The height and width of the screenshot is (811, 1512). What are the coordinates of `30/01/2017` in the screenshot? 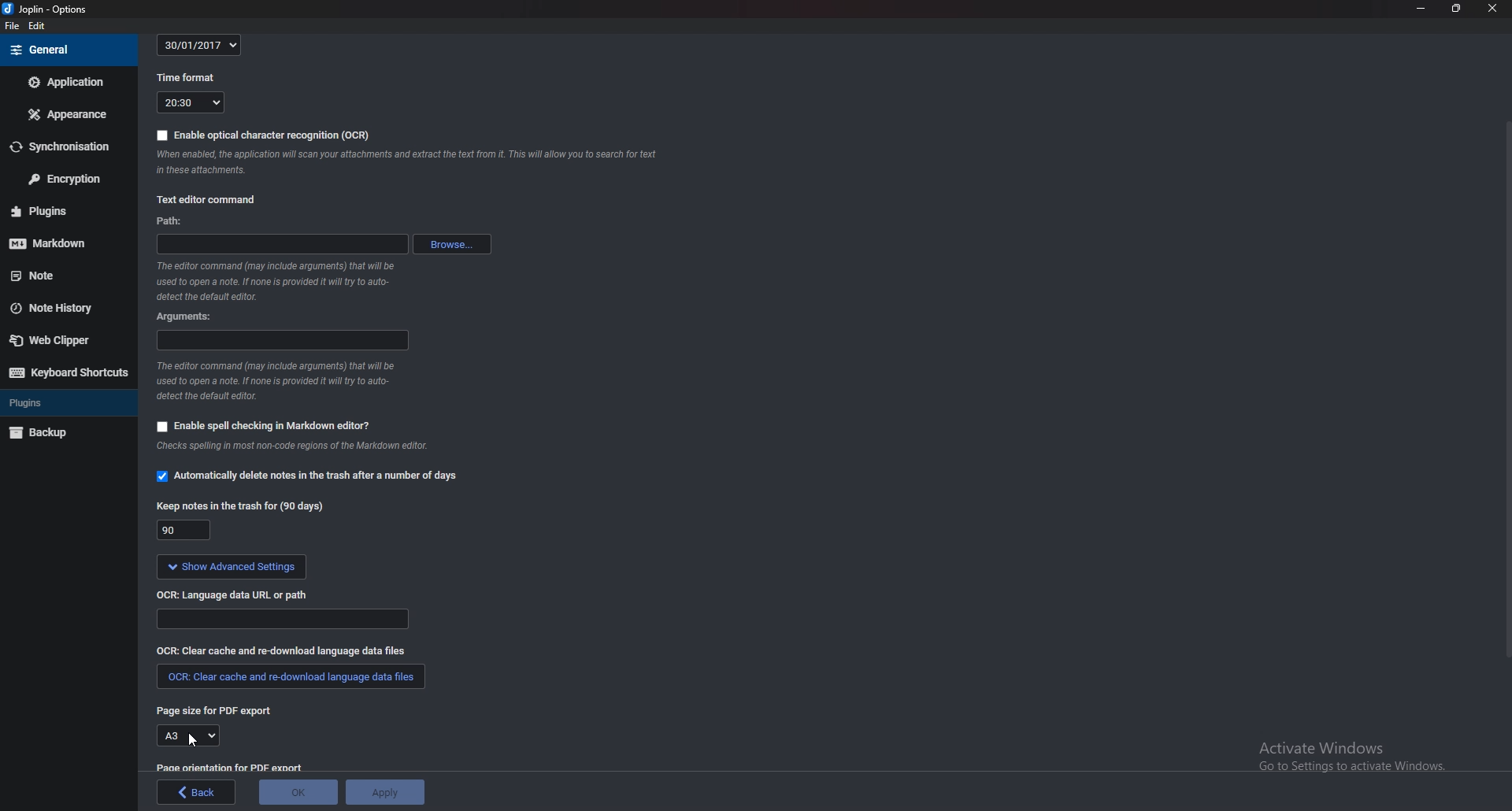 It's located at (202, 43).